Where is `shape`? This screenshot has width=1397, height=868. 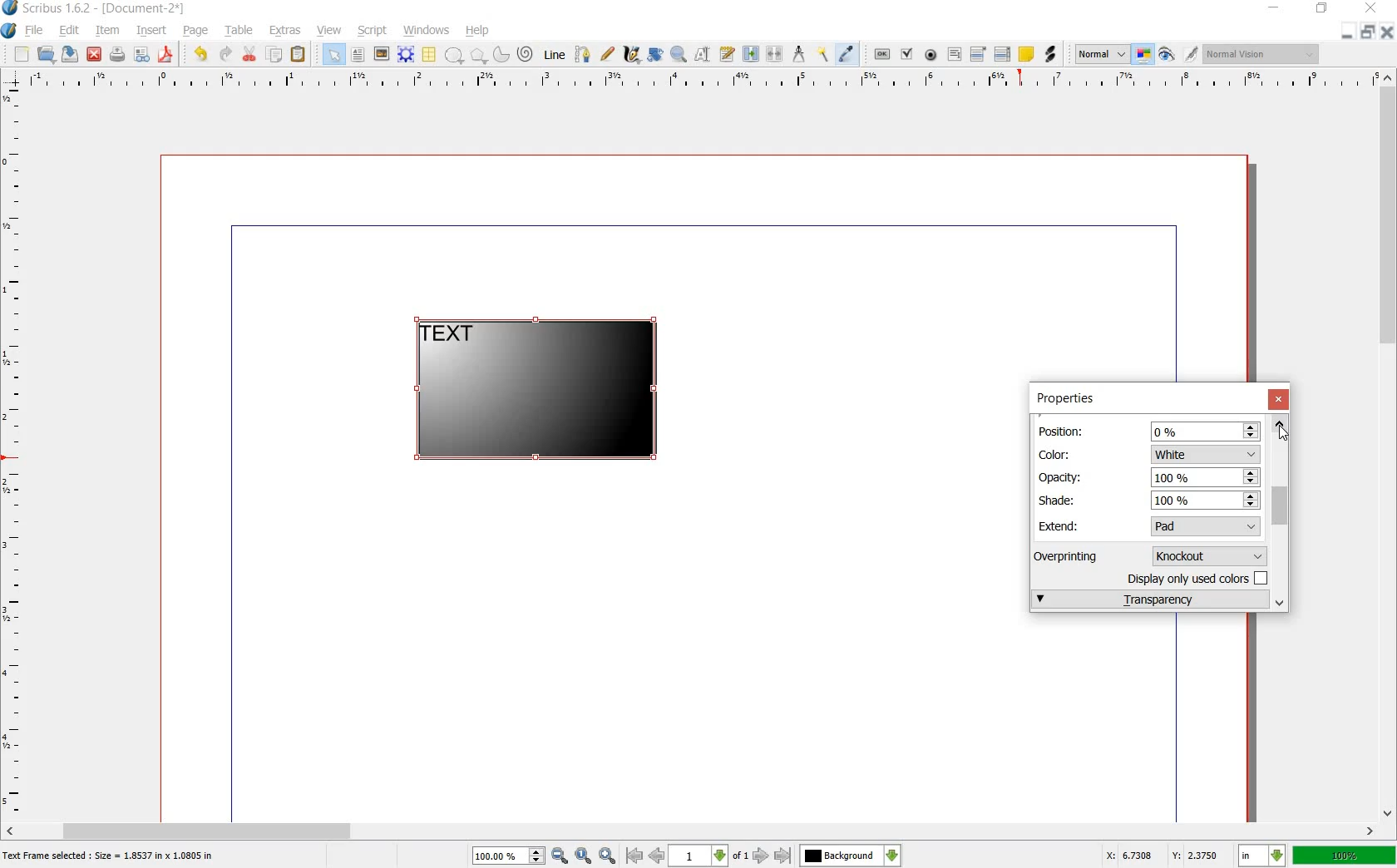
shape is located at coordinates (454, 56).